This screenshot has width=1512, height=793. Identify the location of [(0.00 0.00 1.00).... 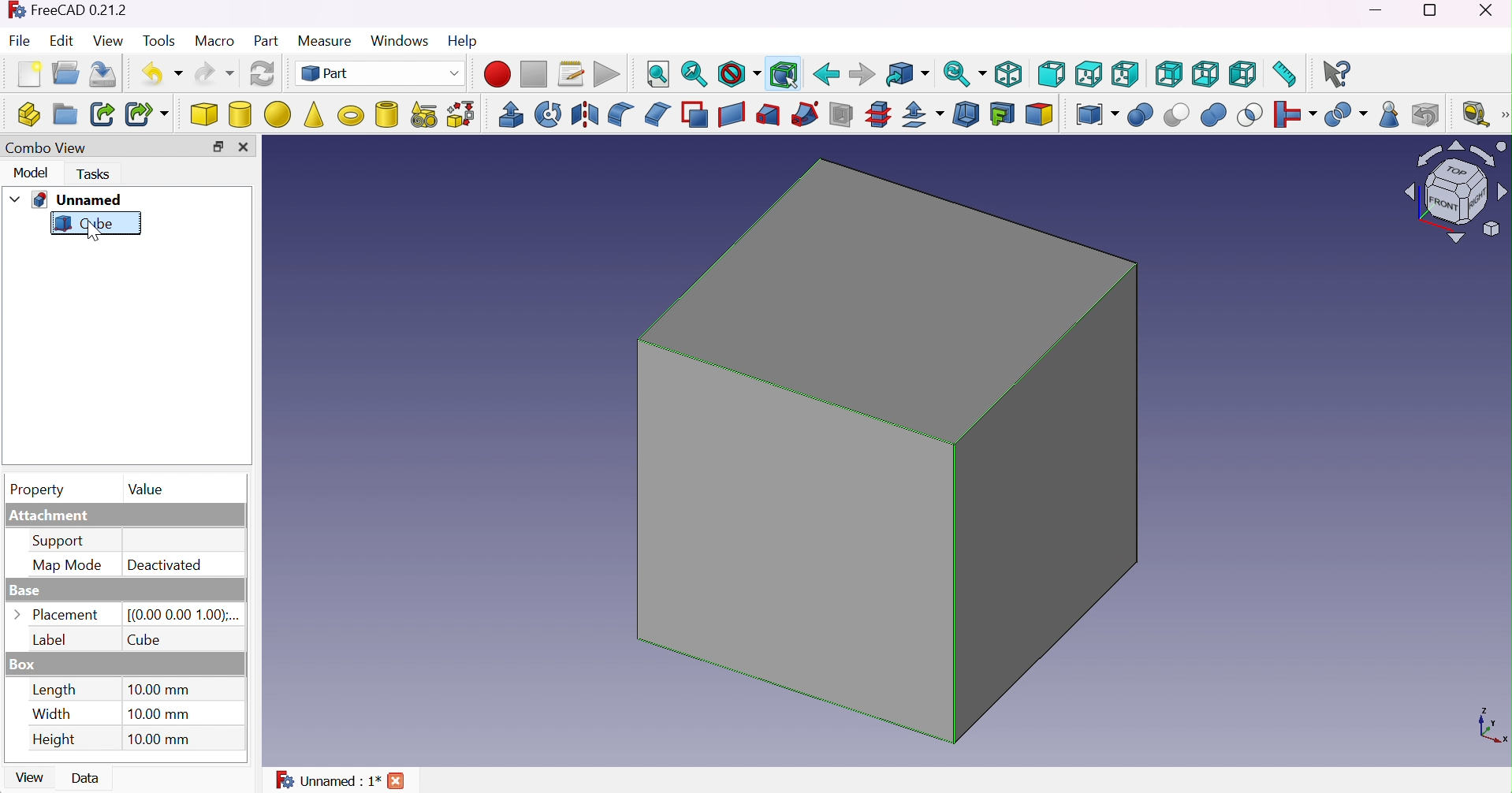
(184, 614).